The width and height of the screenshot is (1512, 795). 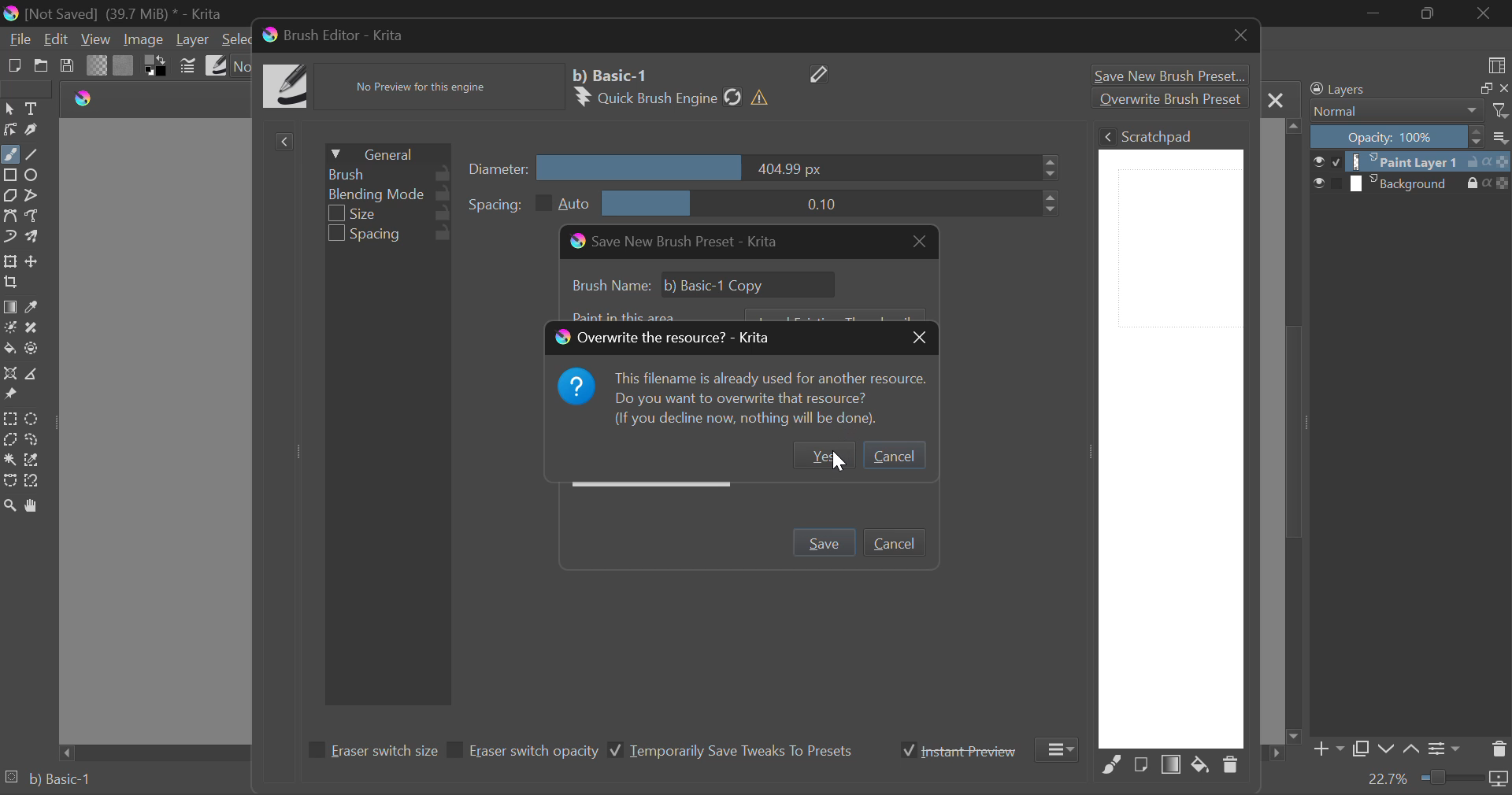 I want to click on logo, so click(x=74, y=99).